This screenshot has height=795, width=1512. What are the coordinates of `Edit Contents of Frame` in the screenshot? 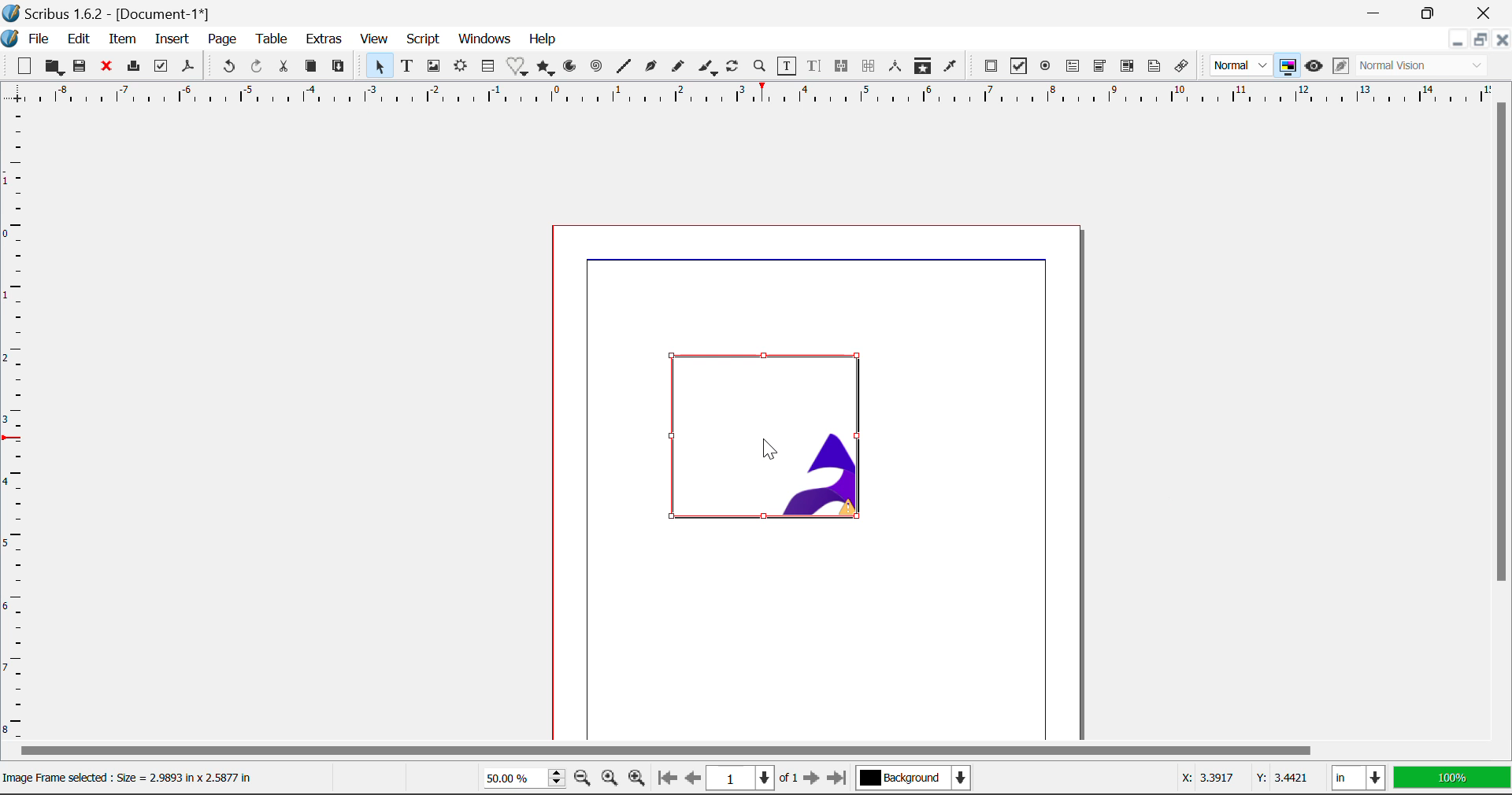 It's located at (788, 66).